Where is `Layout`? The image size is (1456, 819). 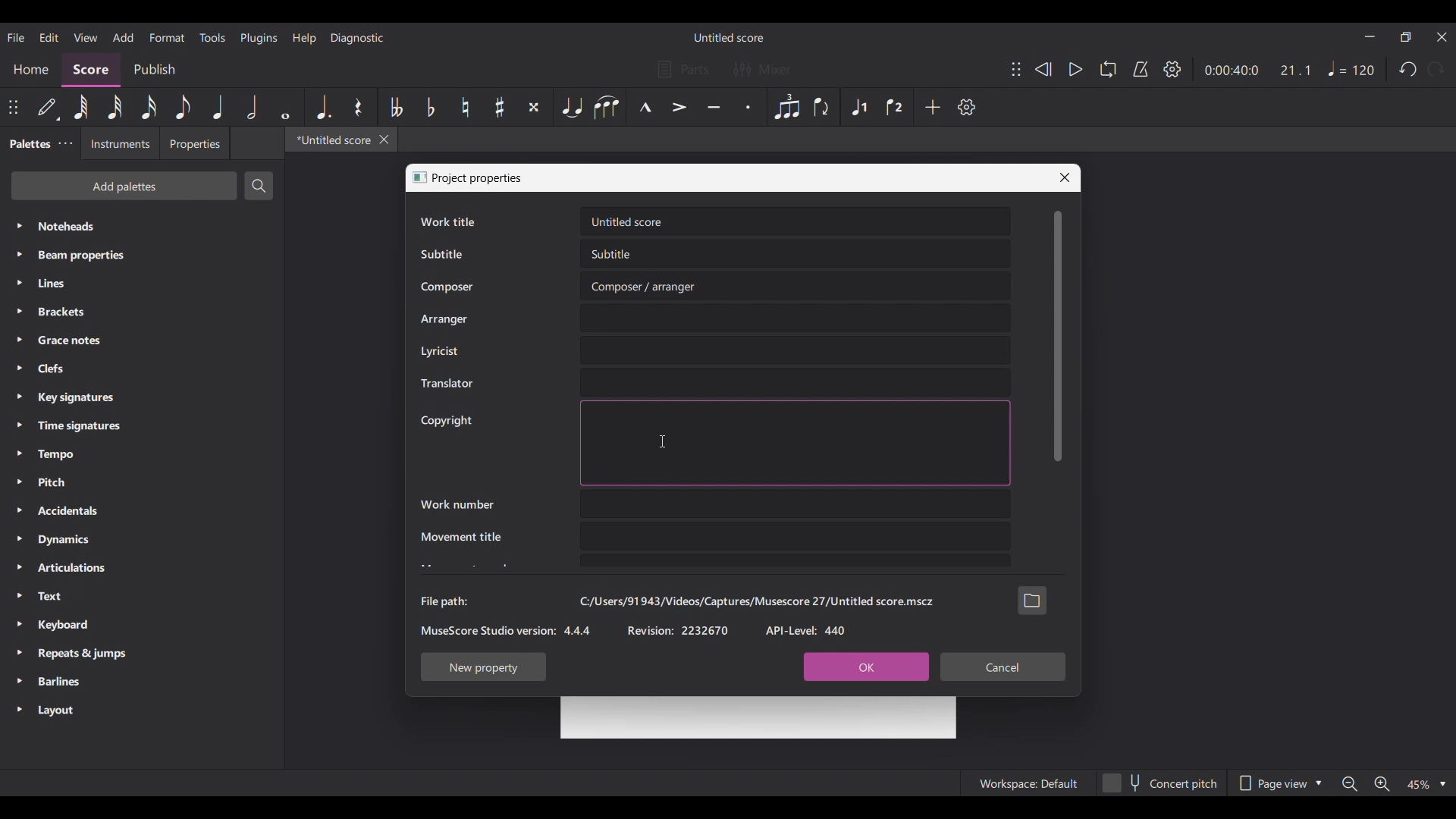
Layout is located at coordinates (142, 711).